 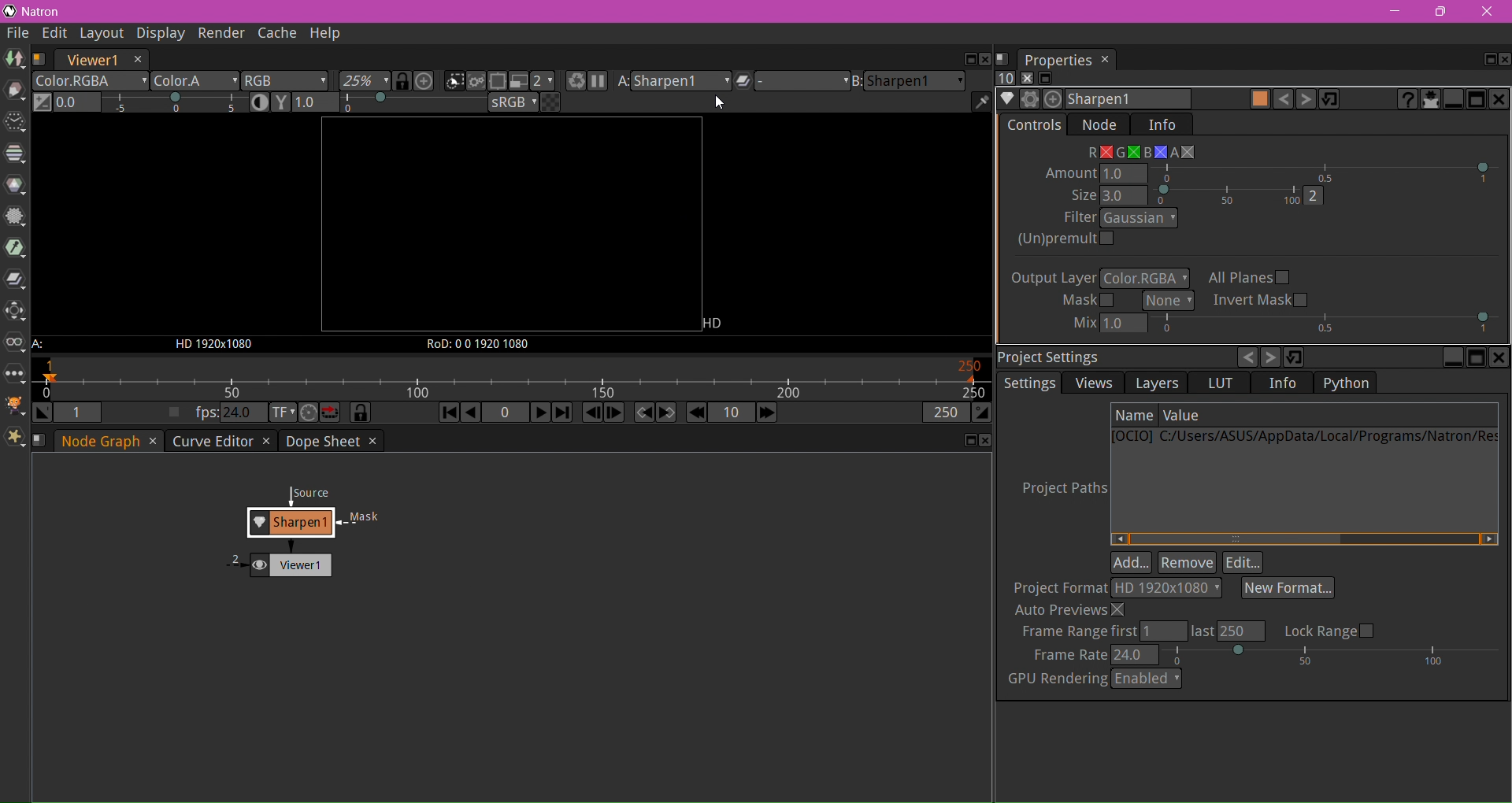 What do you see at coordinates (766, 414) in the screenshot?
I see `Next Increment` at bounding box center [766, 414].